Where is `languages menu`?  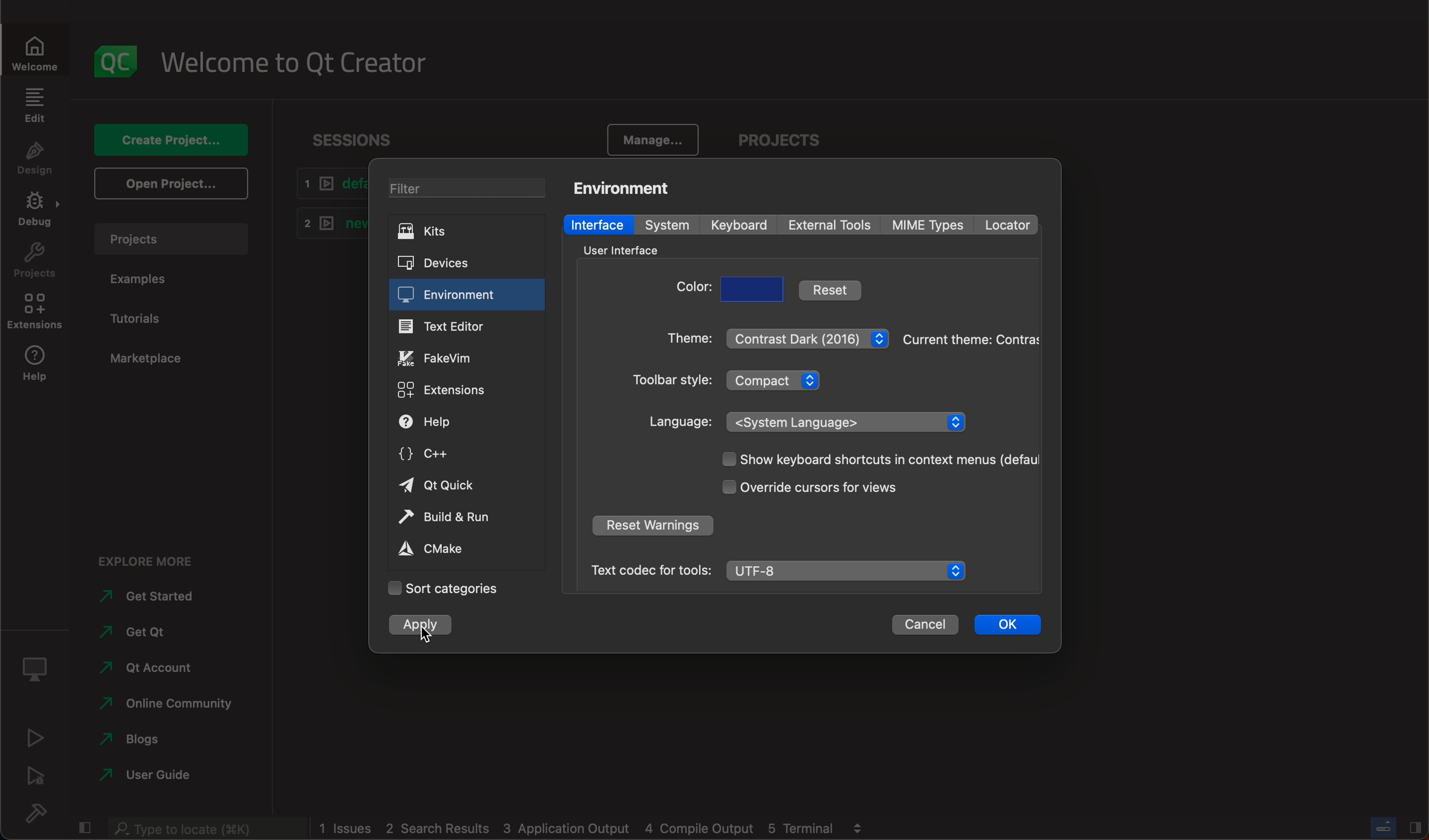 languages menu is located at coordinates (849, 421).